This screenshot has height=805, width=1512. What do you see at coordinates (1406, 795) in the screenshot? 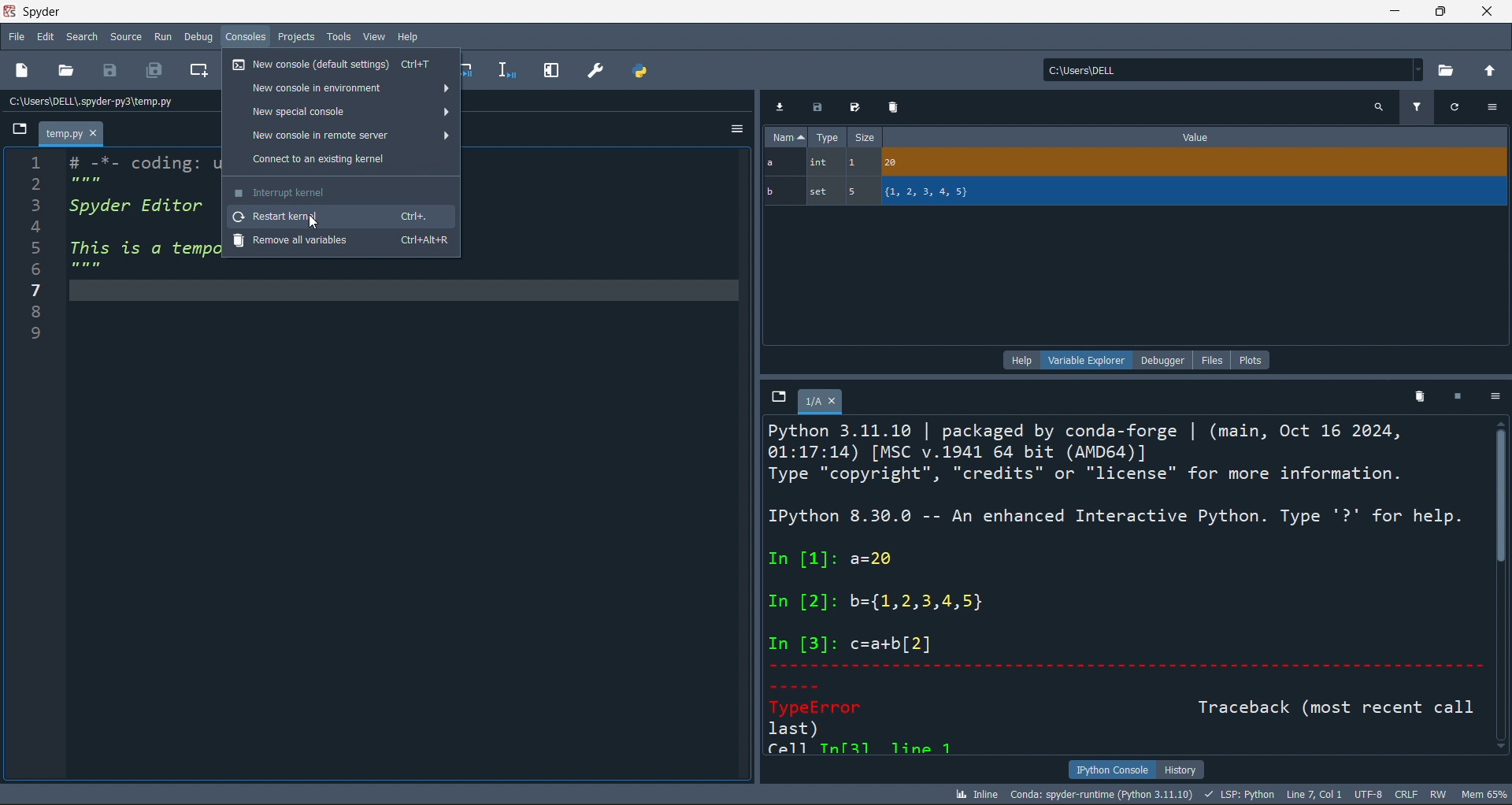
I see `CRLF` at bounding box center [1406, 795].